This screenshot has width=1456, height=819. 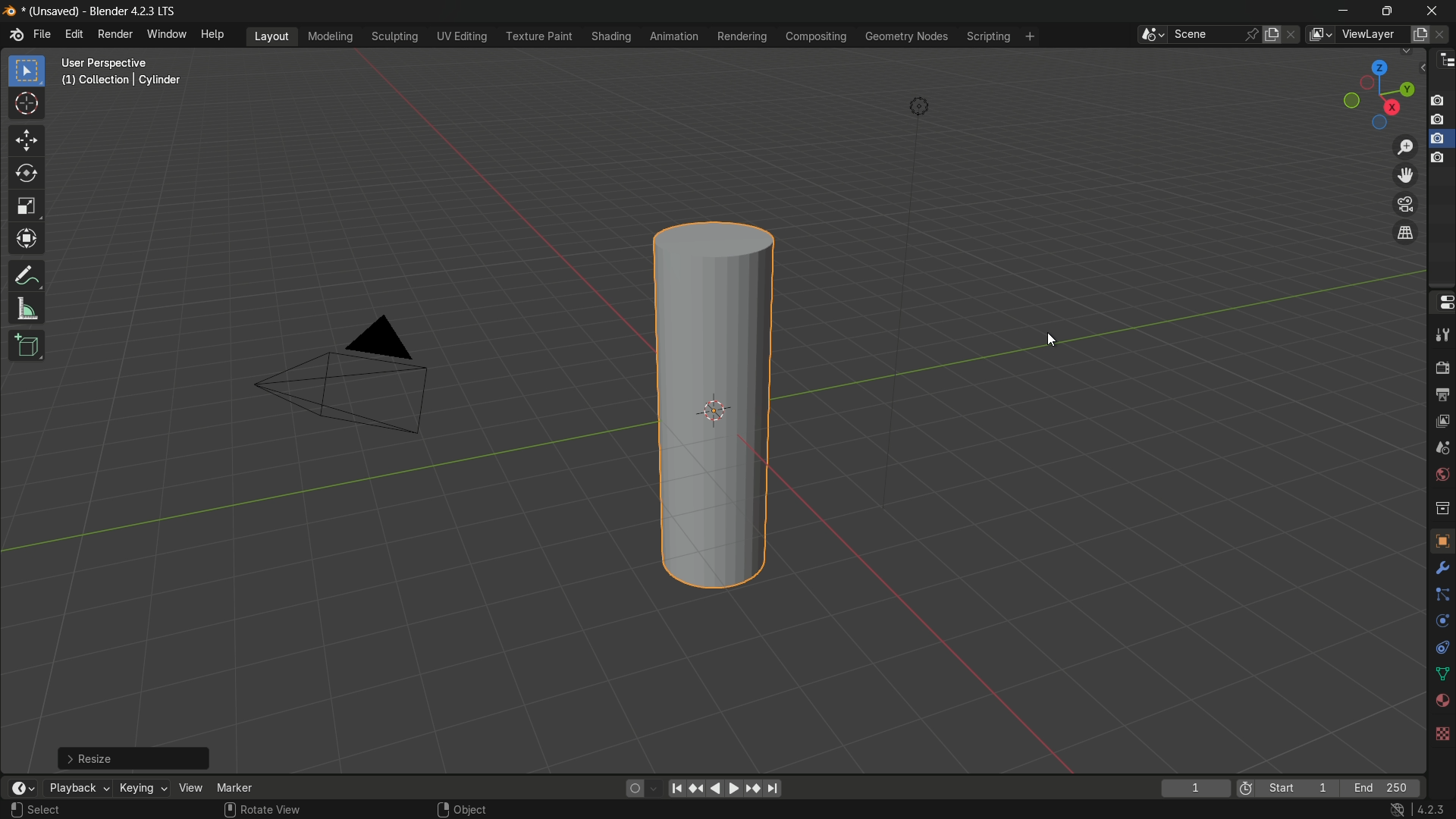 I want to click on new scene, so click(x=1273, y=34).